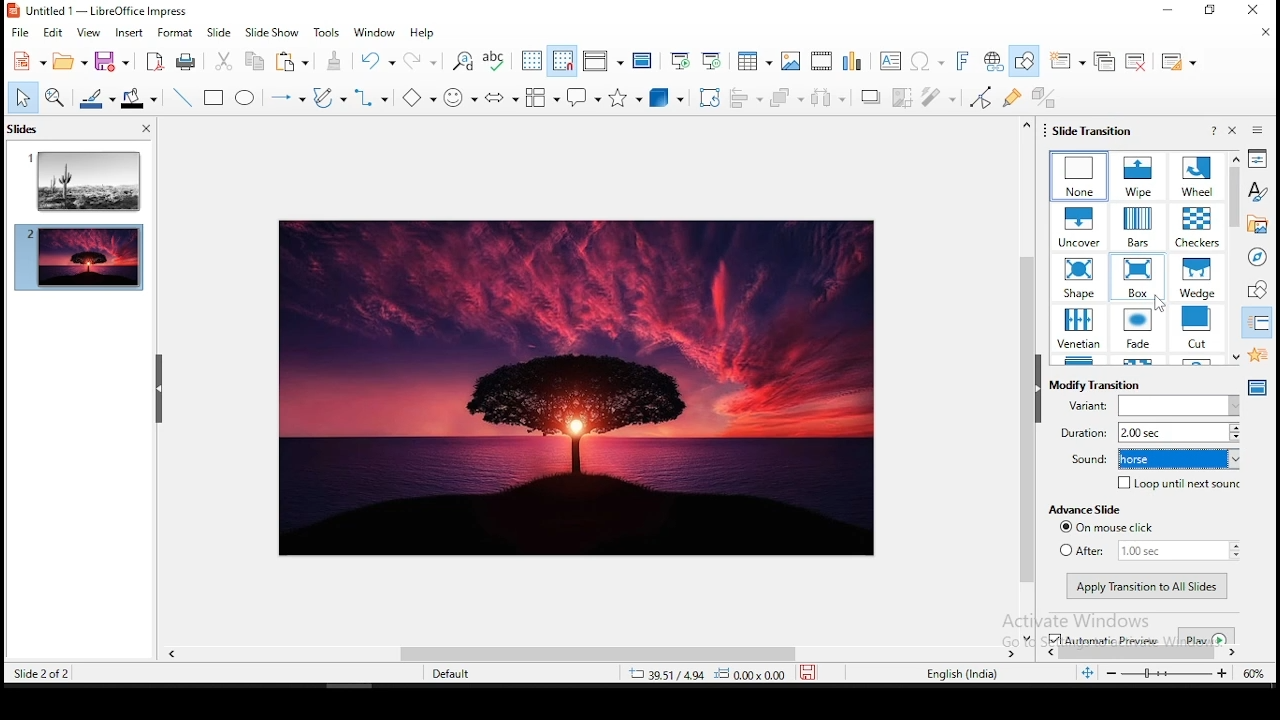  Describe the element at coordinates (219, 33) in the screenshot. I see `slide` at that location.